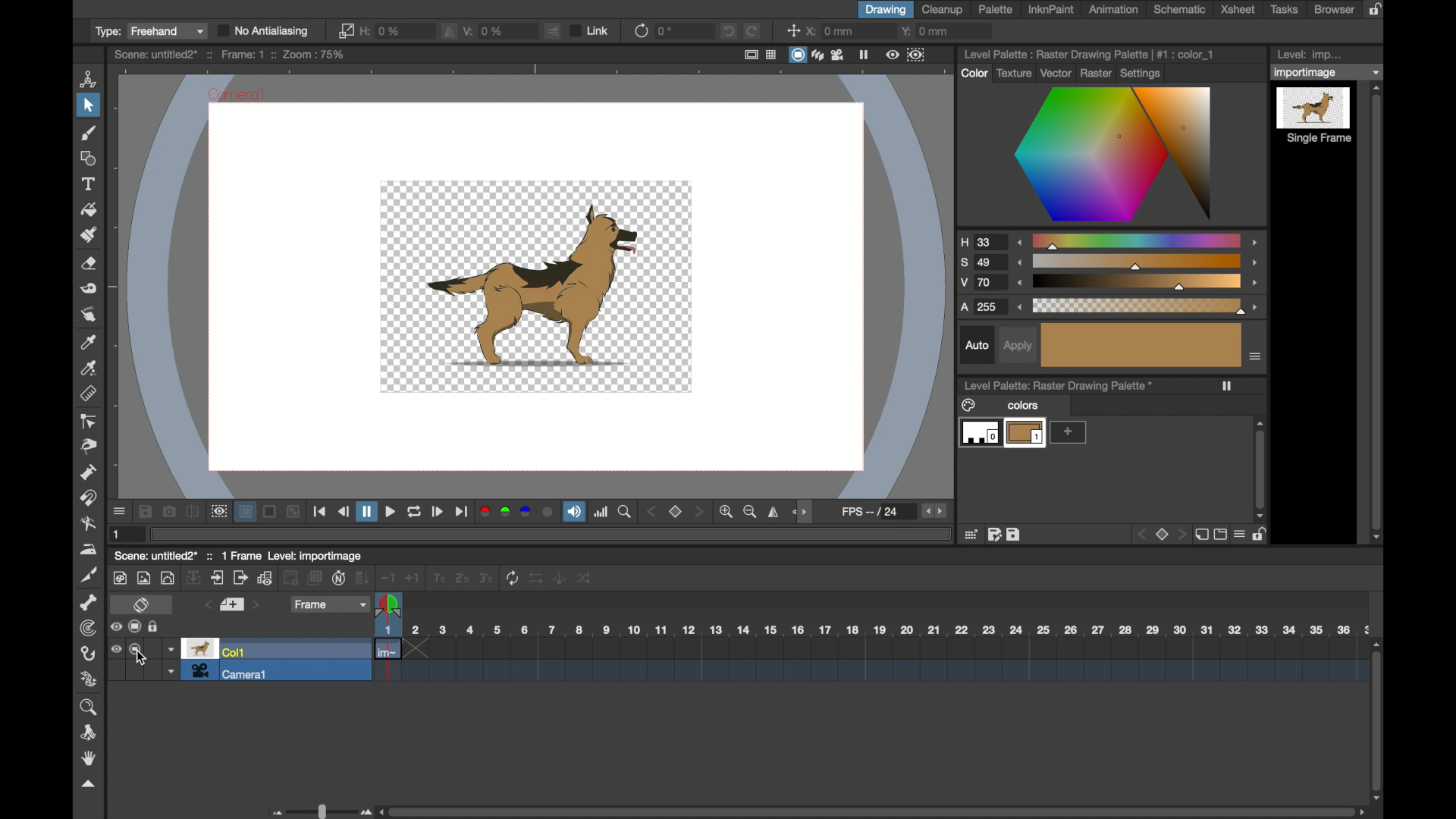 This screenshot has height=819, width=1456. I want to click on tape tool, so click(88, 289).